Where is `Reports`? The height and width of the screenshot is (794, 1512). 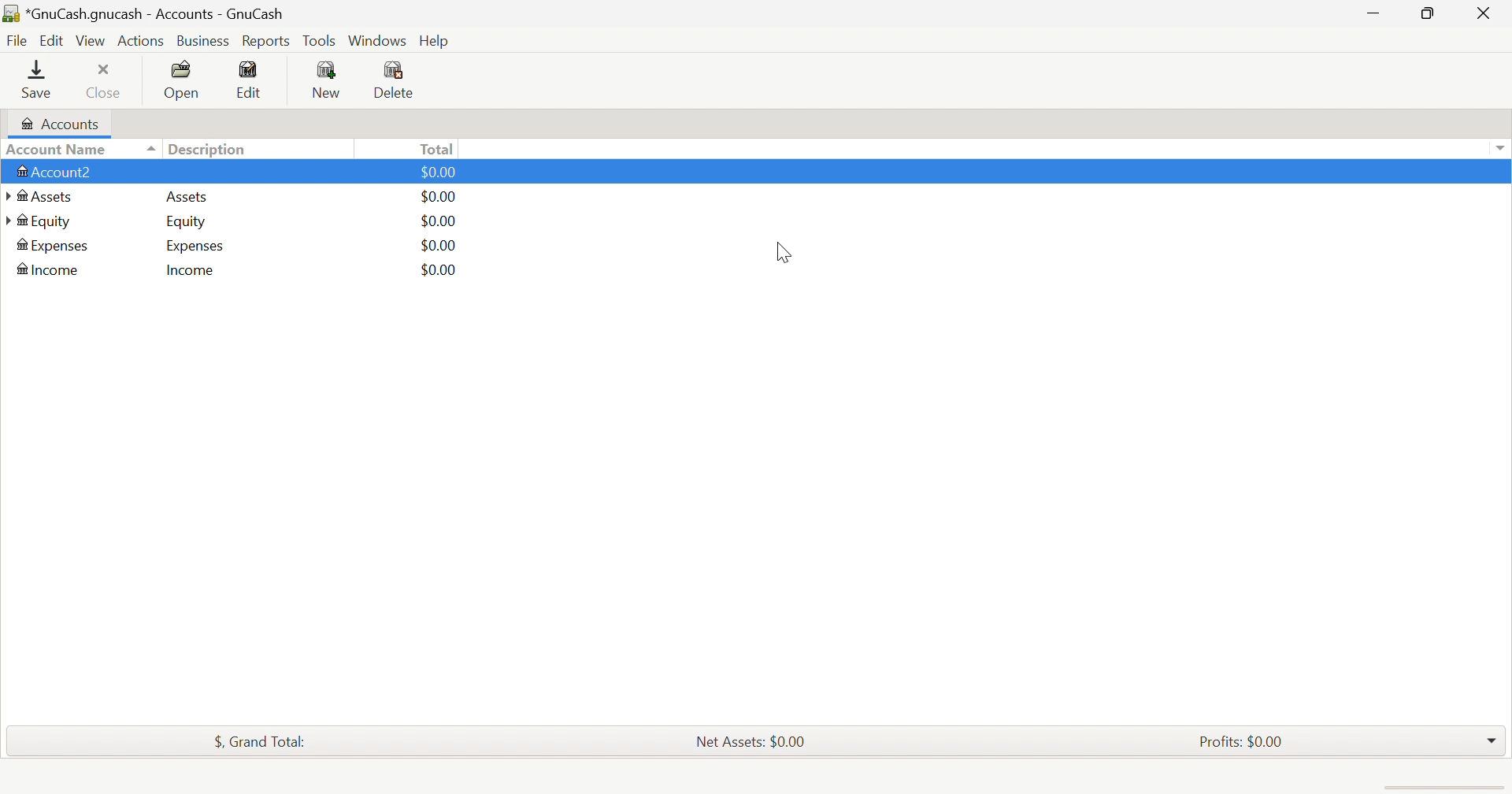
Reports is located at coordinates (266, 42).